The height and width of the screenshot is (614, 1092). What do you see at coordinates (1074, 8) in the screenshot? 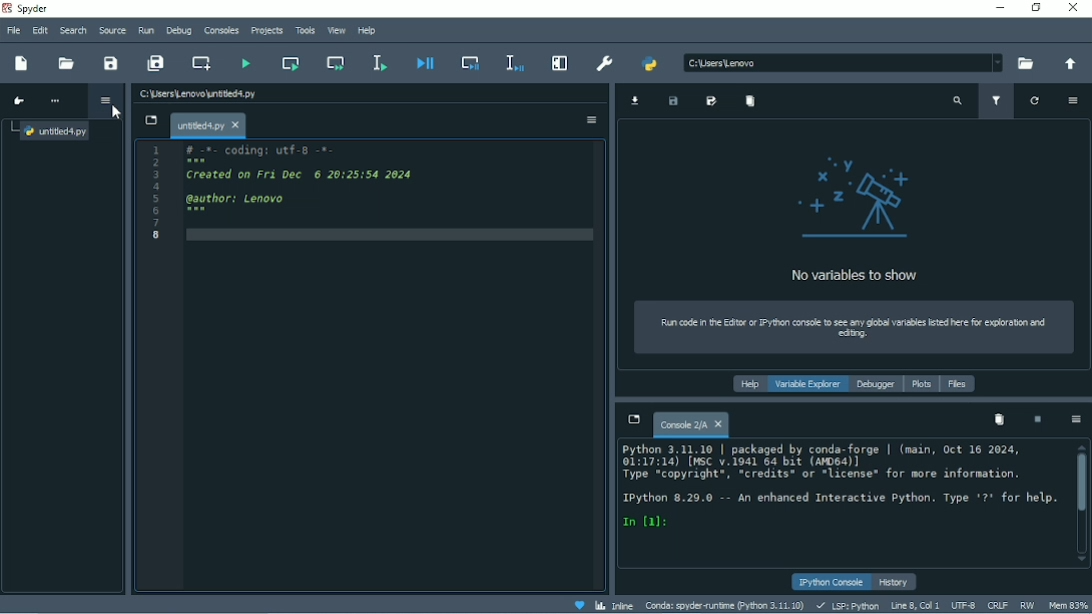
I see `Close` at bounding box center [1074, 8].